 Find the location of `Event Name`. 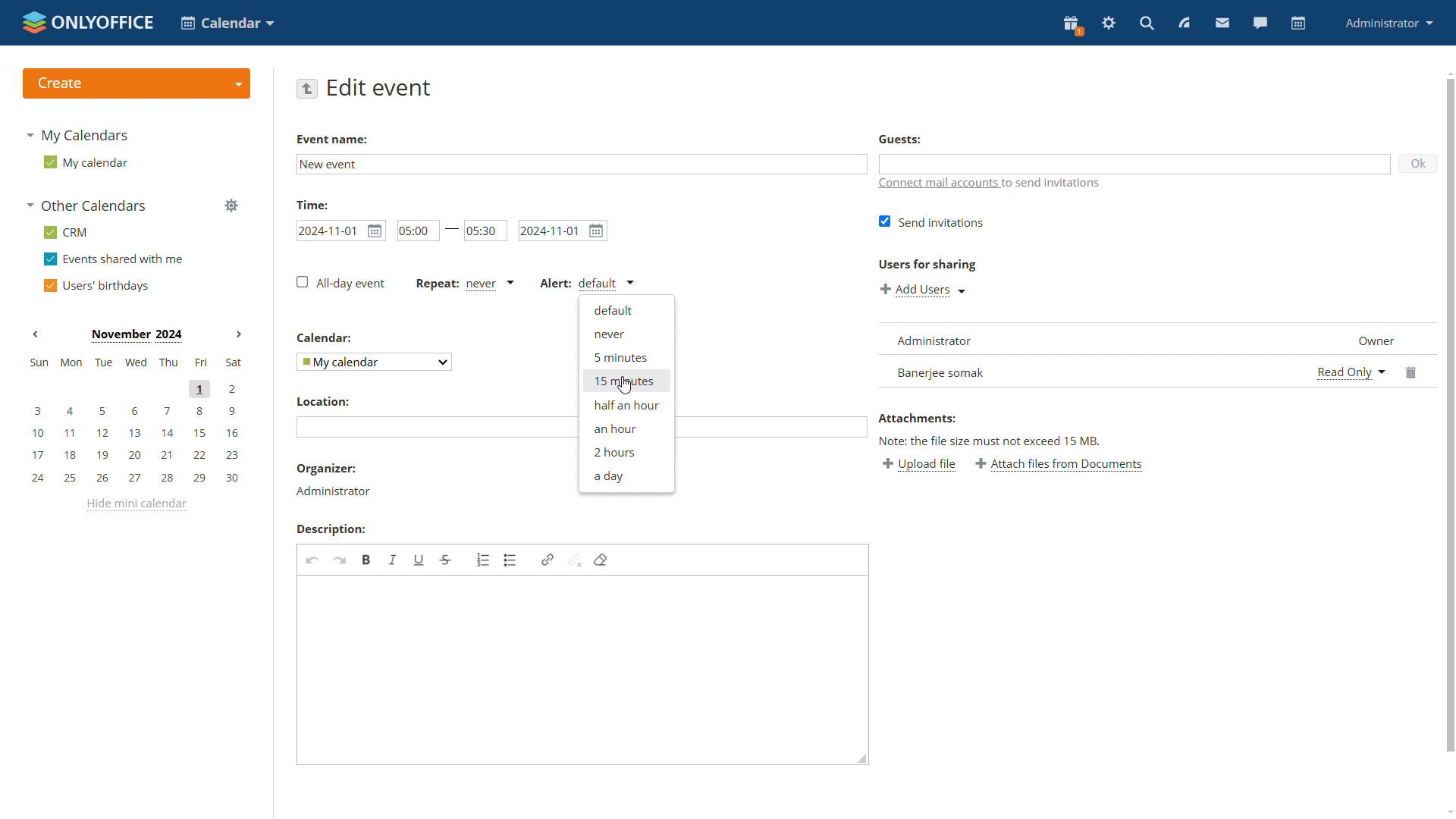

Event Name is located at coordinates (331, 140).